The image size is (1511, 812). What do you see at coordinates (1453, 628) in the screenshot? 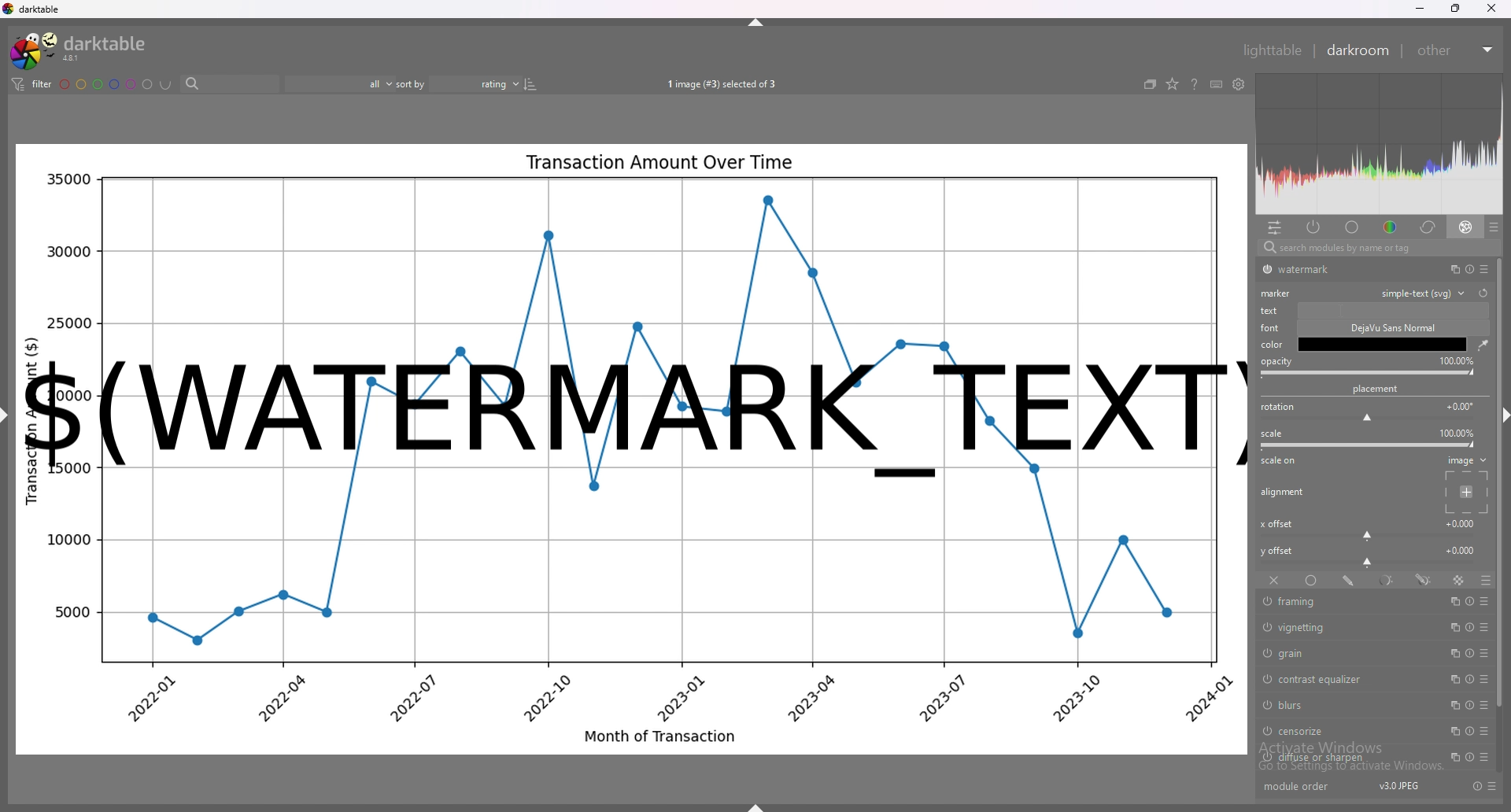
I see `multiple instances action` at bounding box center [1453, 628].